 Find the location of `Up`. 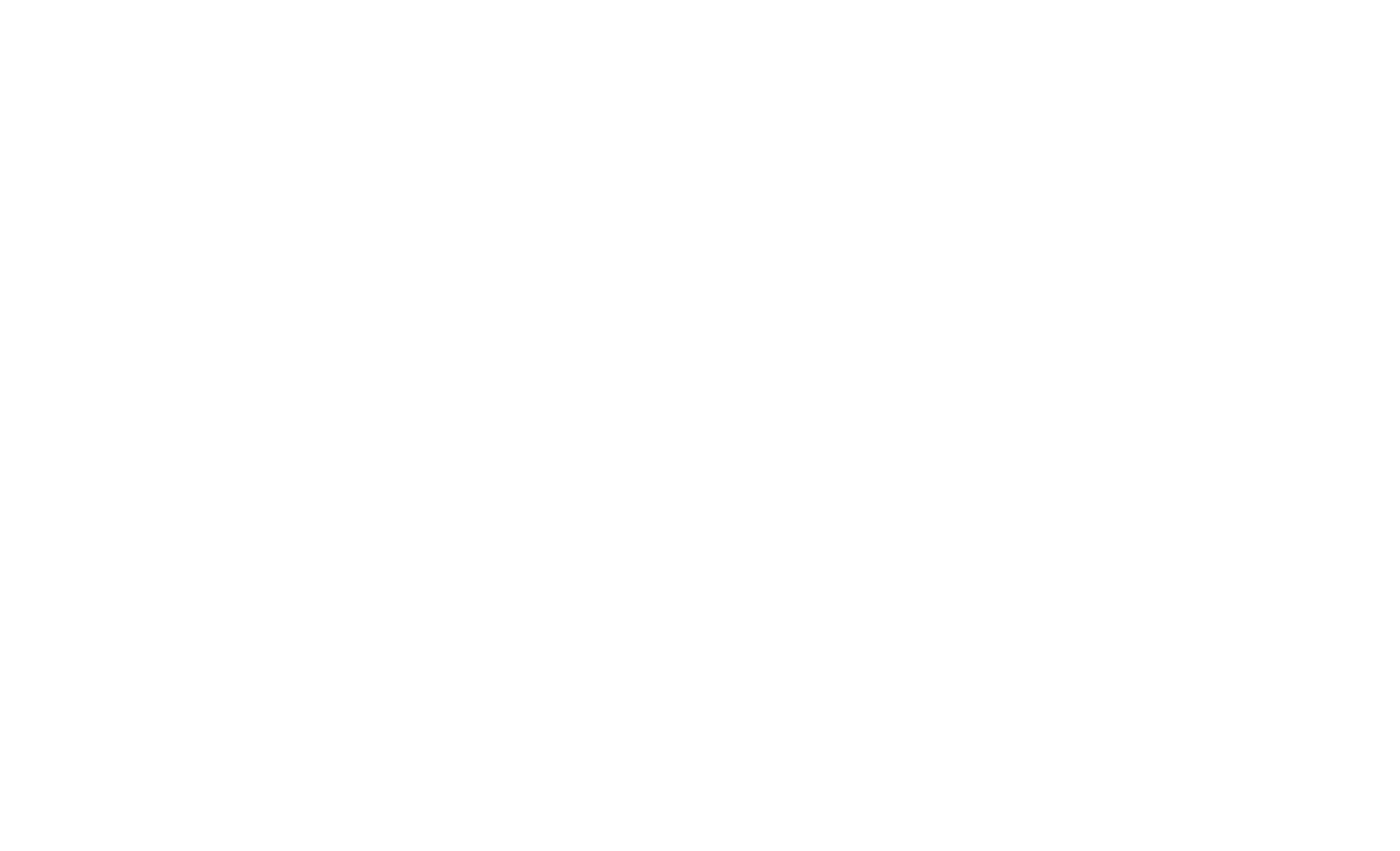

Up is located at coordinates (413, 804).